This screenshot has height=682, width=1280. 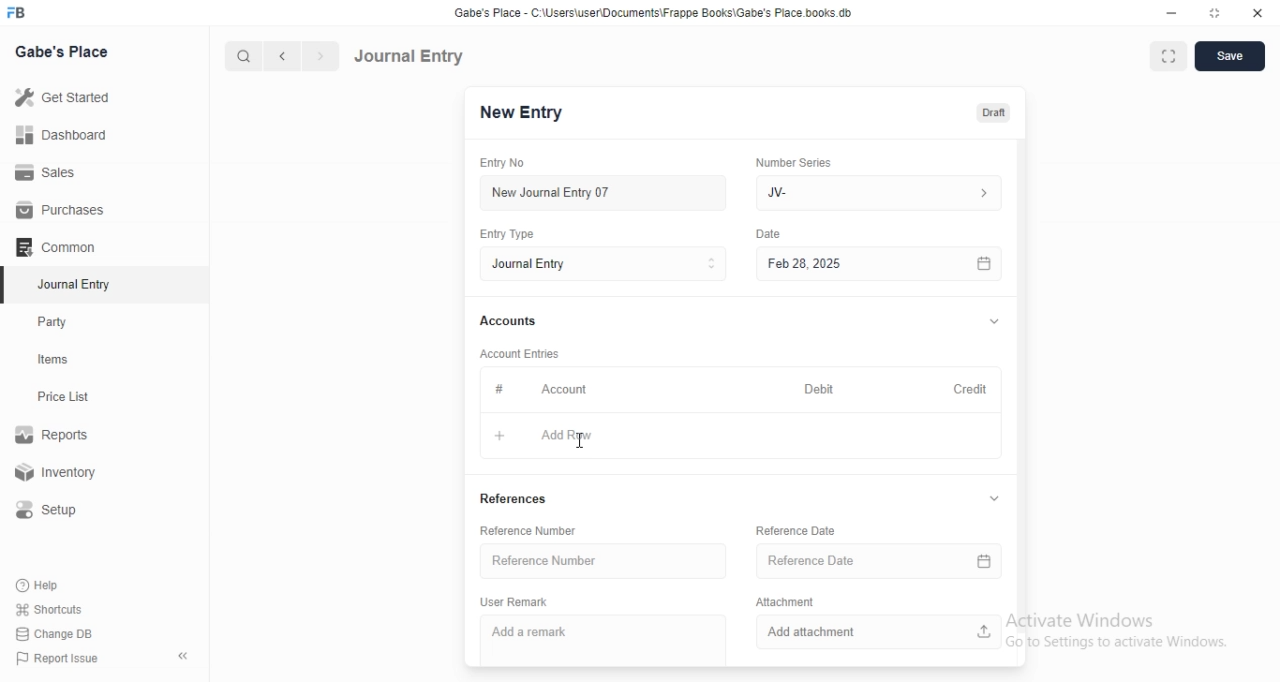 What do you see at coordinates (49, 247) in the screenshot?
I see `Comman` at bounding box center [49, 247].